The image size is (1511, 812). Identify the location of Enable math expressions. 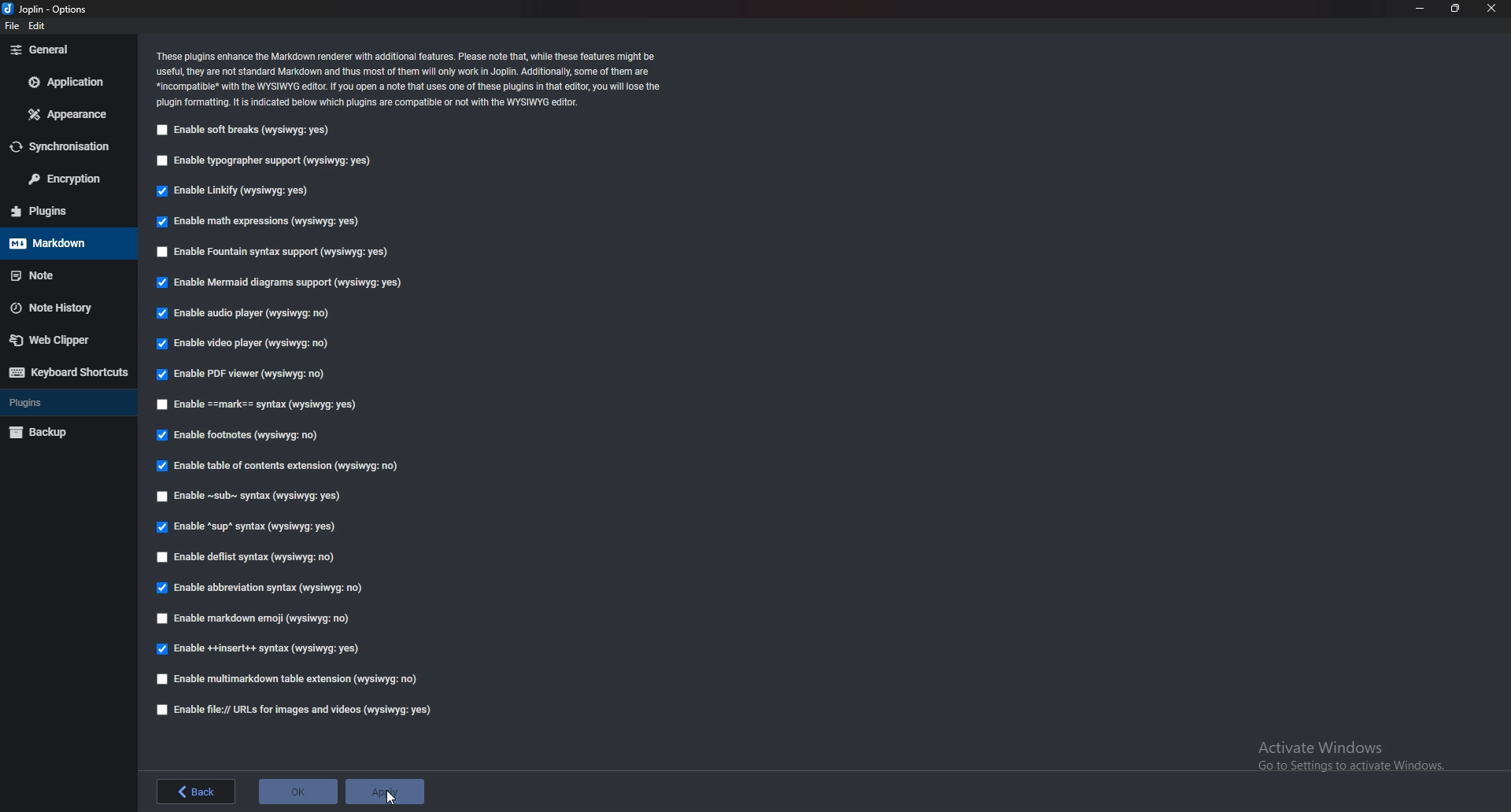
(275, 220).